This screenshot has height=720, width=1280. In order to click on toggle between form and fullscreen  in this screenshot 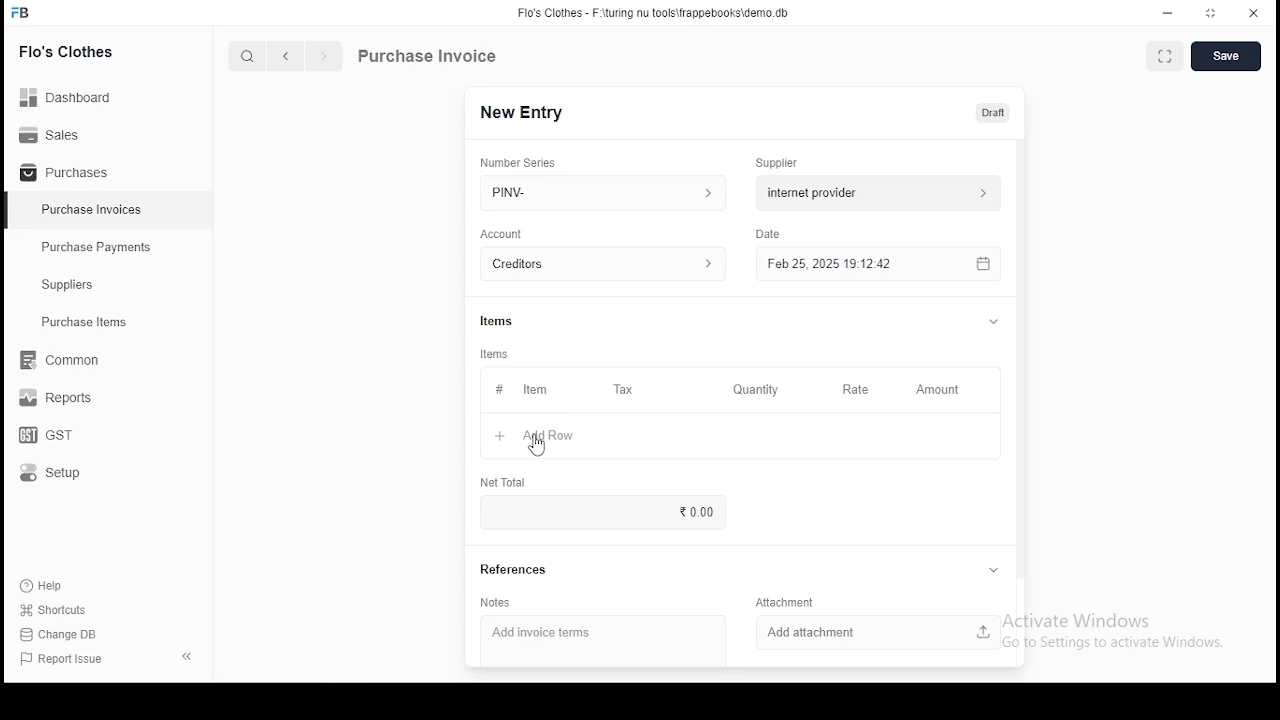, I will do `click(1166, 58)`.